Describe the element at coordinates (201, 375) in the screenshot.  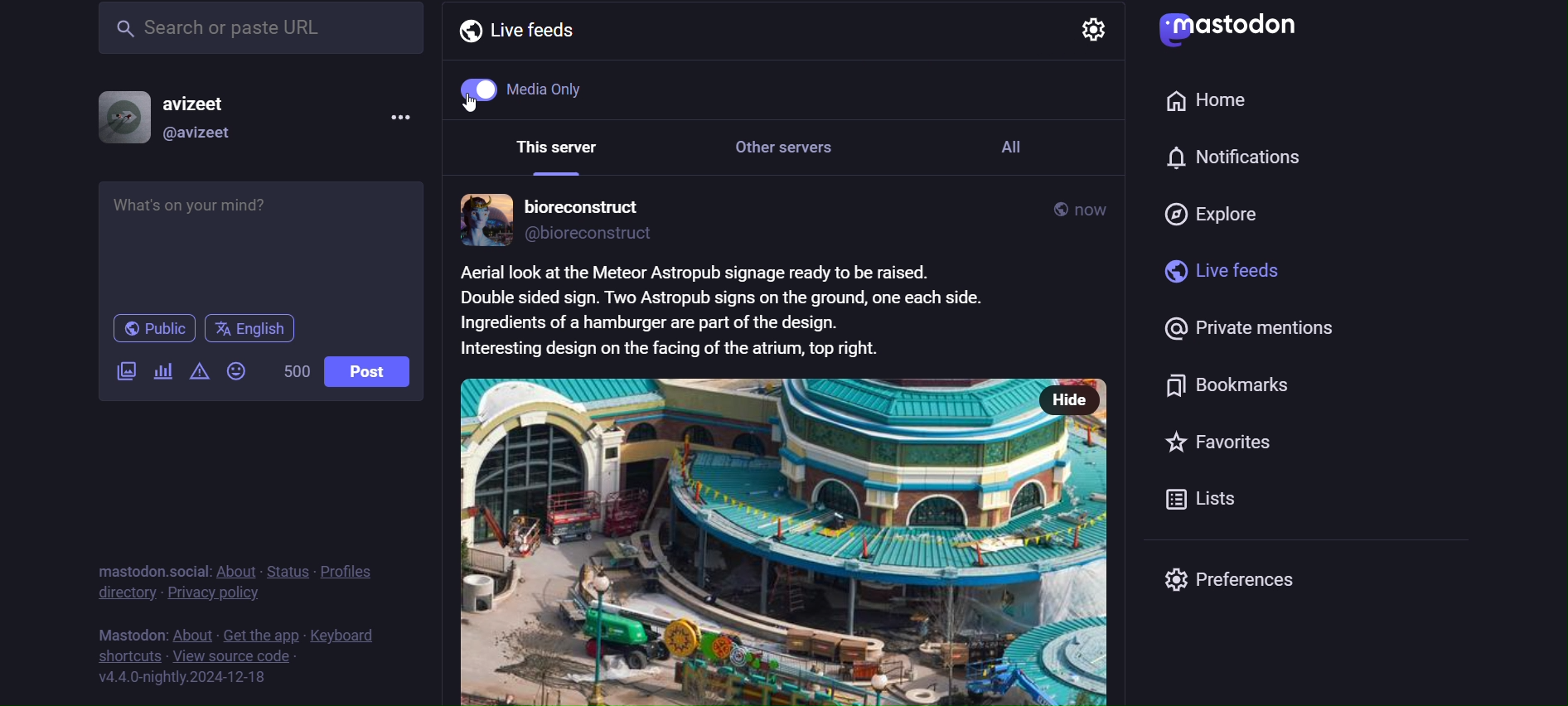
I see `content warning` at that location.